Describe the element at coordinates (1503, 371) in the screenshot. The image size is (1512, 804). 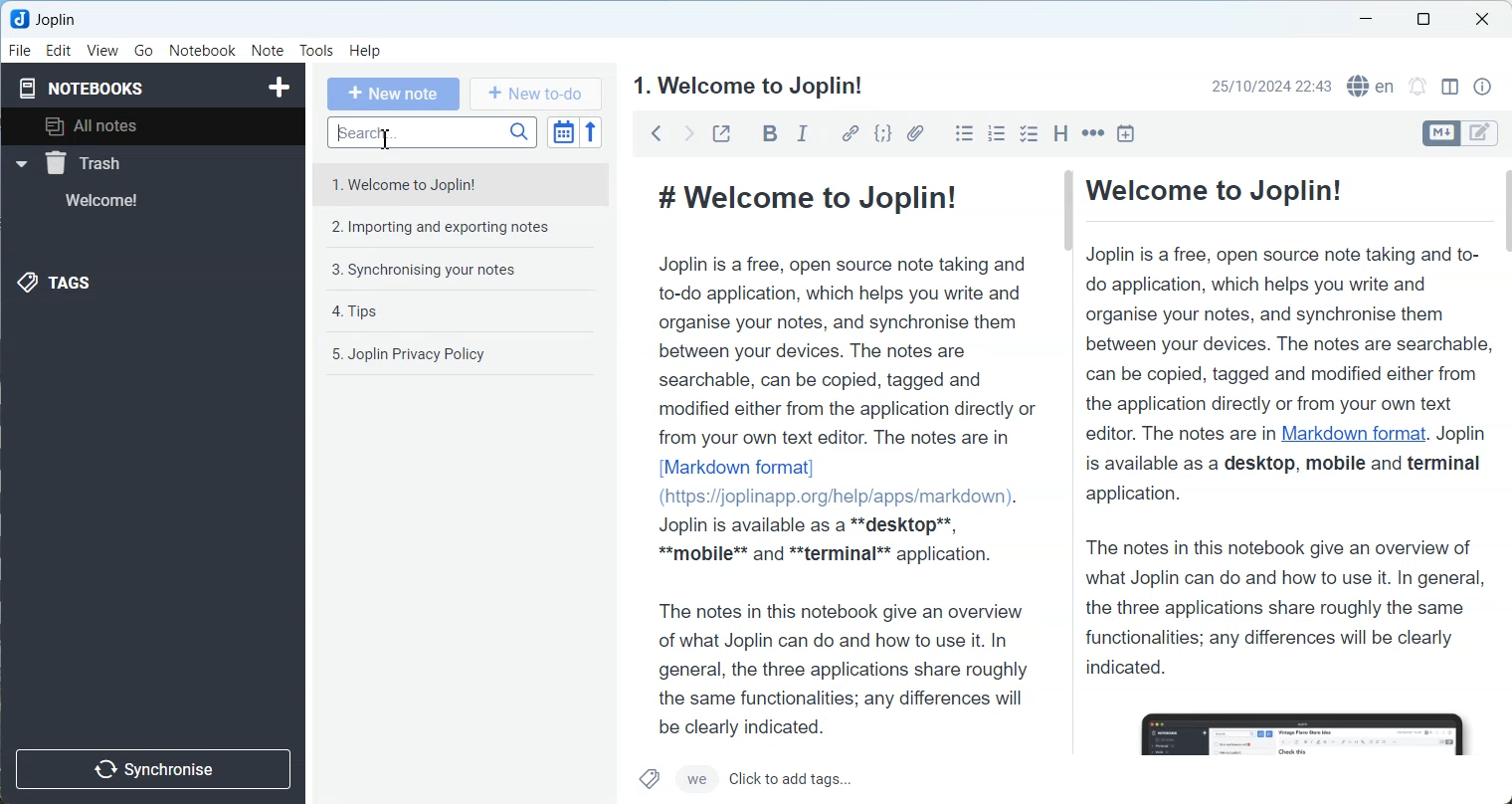
I see `verticle scrollbar` at that location.